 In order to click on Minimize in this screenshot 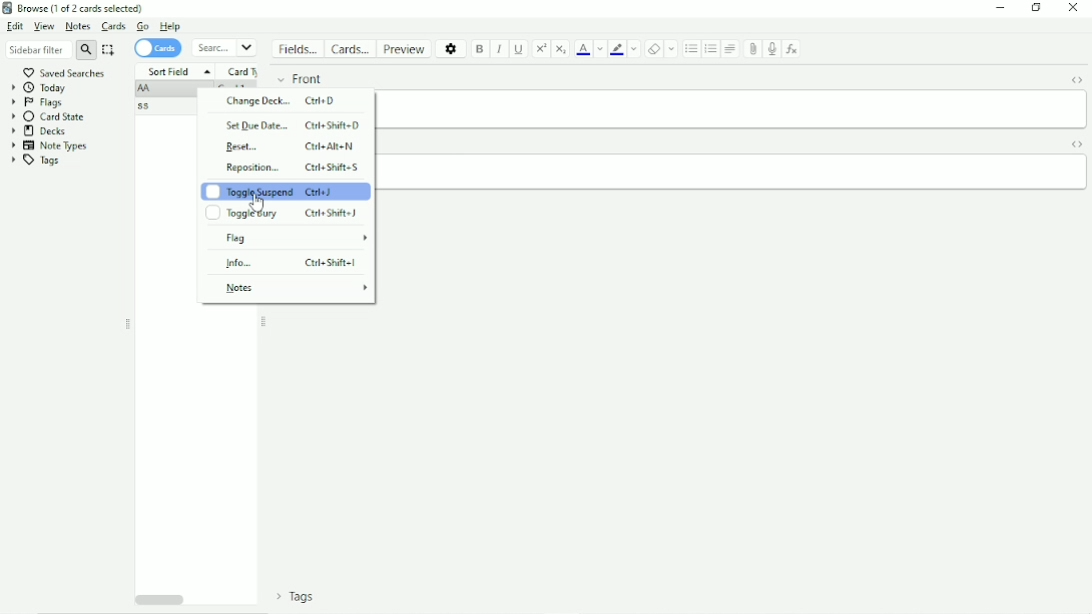, I will do `click(998, 10)`.